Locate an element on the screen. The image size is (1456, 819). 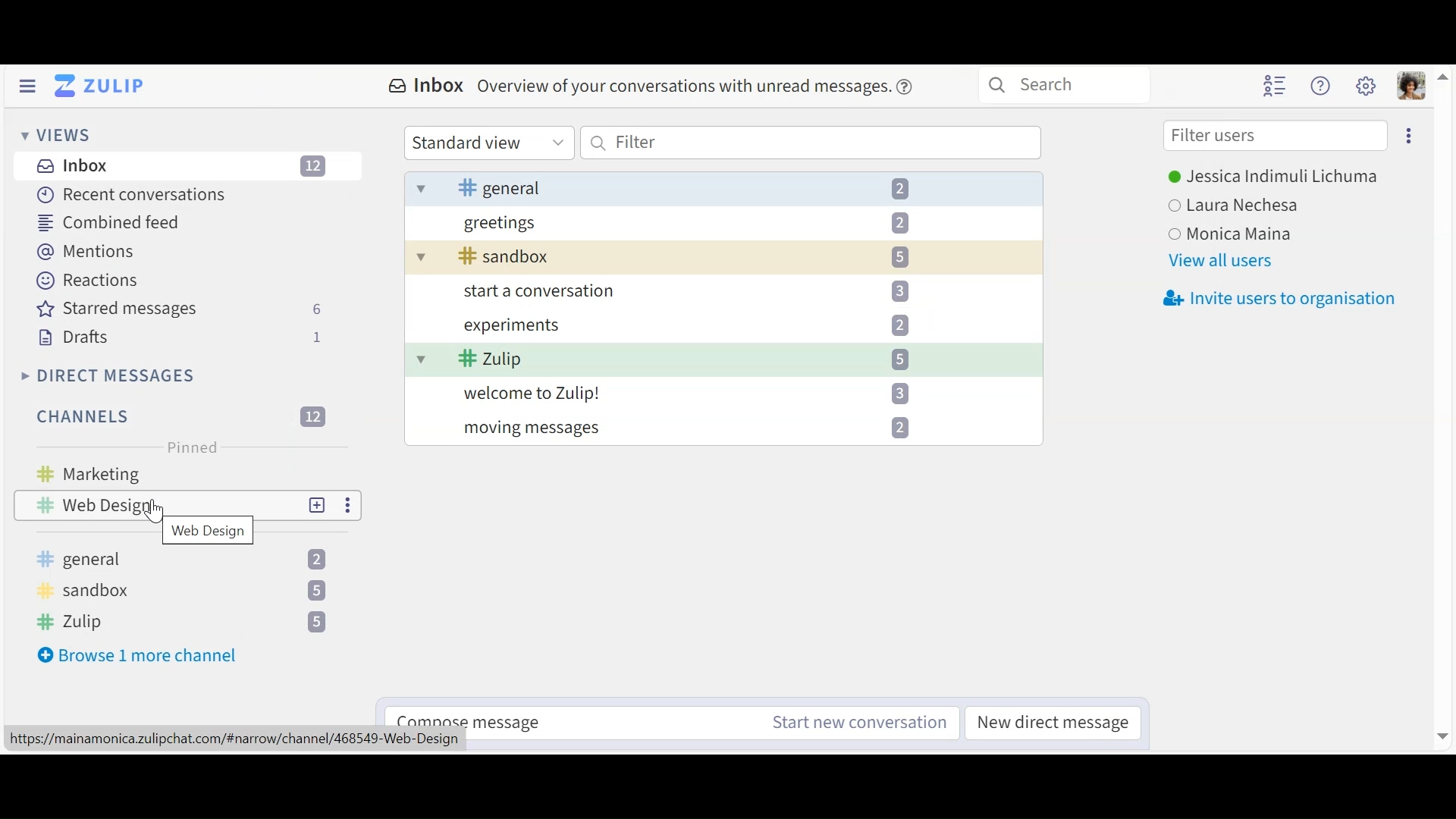
Personal menu is located at coordinates (1411, 83).